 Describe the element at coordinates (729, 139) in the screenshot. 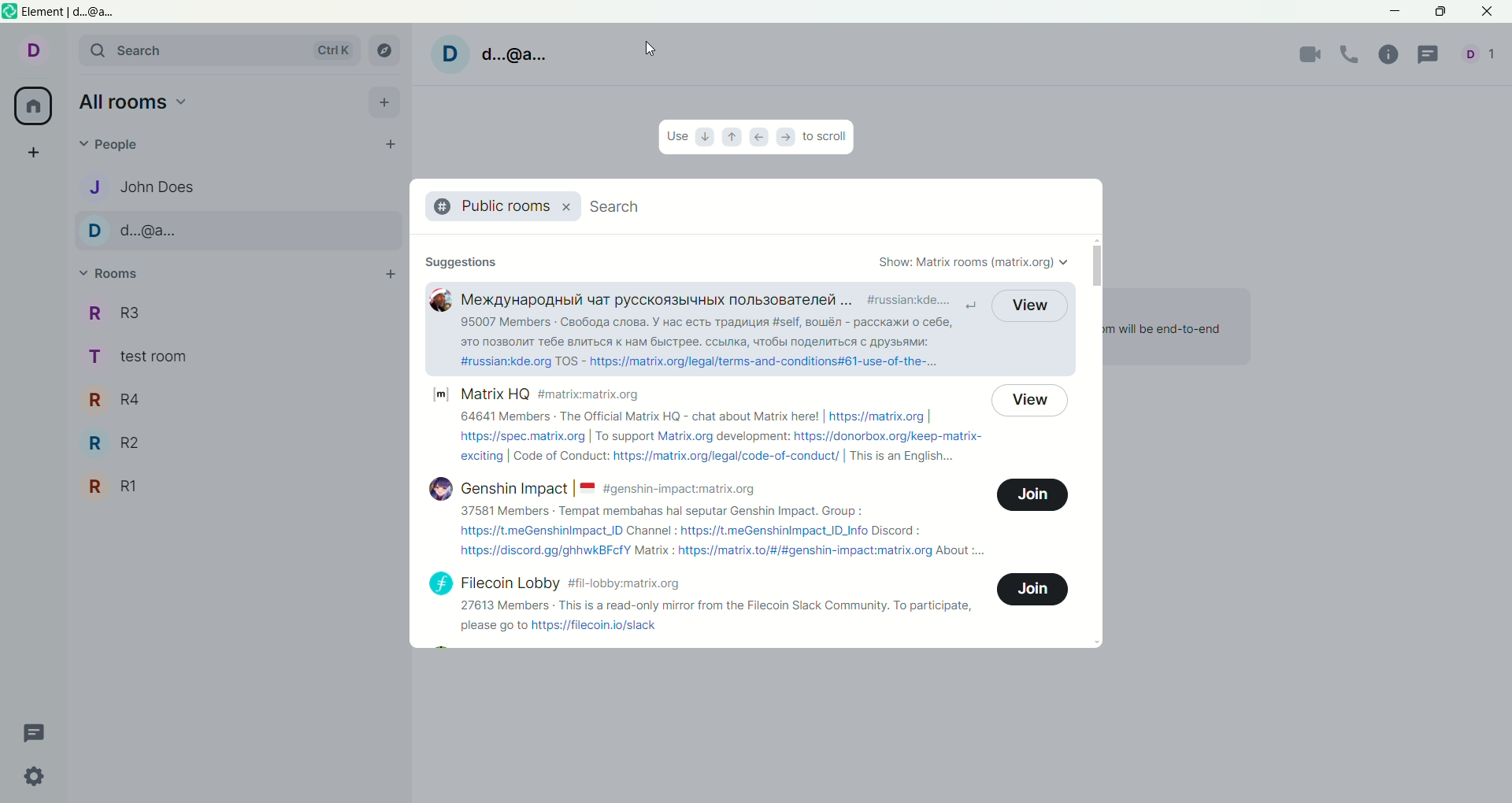

I see `up arrow` at that location.